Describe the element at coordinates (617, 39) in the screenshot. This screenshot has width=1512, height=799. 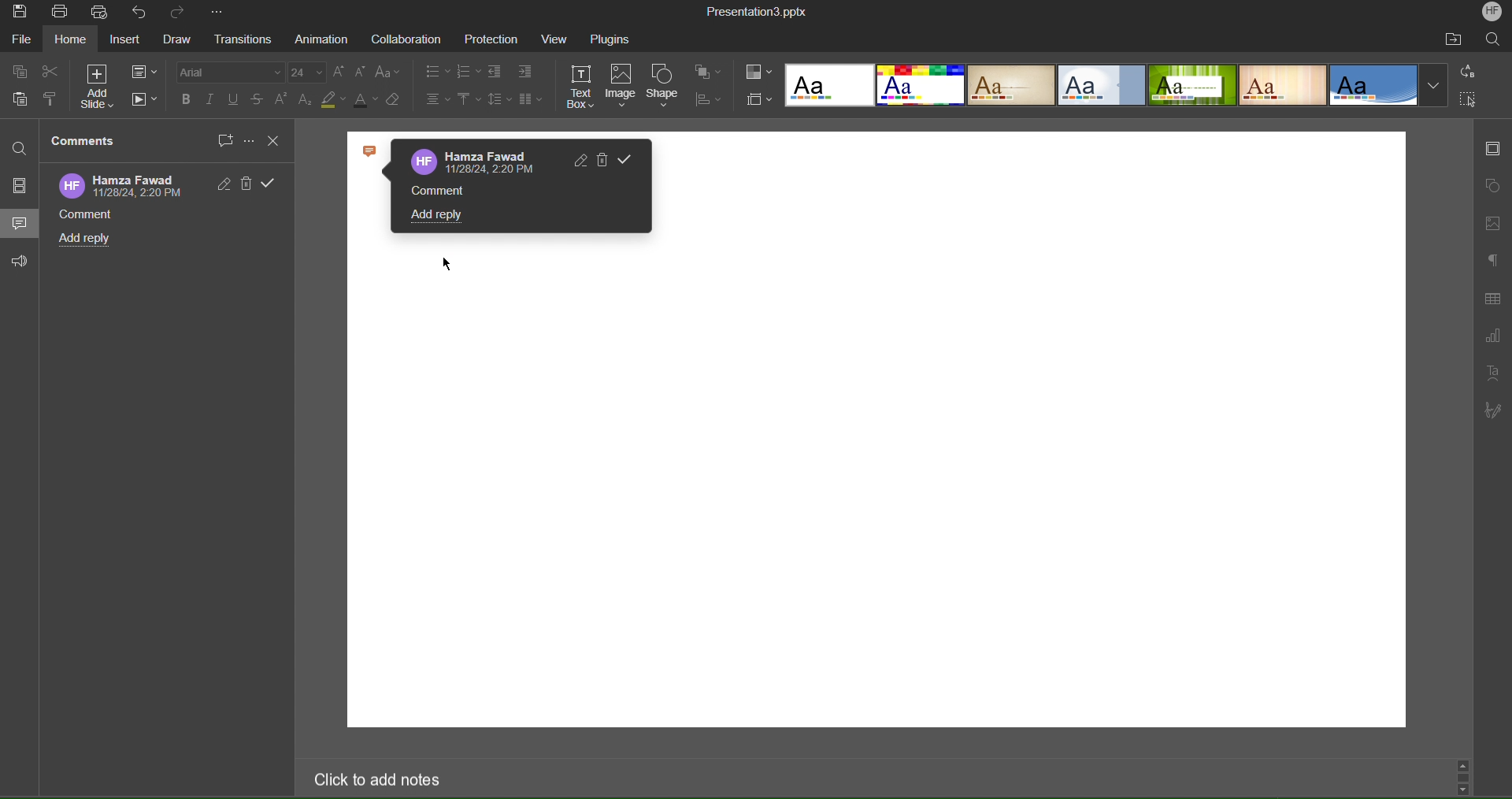
I see `Plugins` at that location.